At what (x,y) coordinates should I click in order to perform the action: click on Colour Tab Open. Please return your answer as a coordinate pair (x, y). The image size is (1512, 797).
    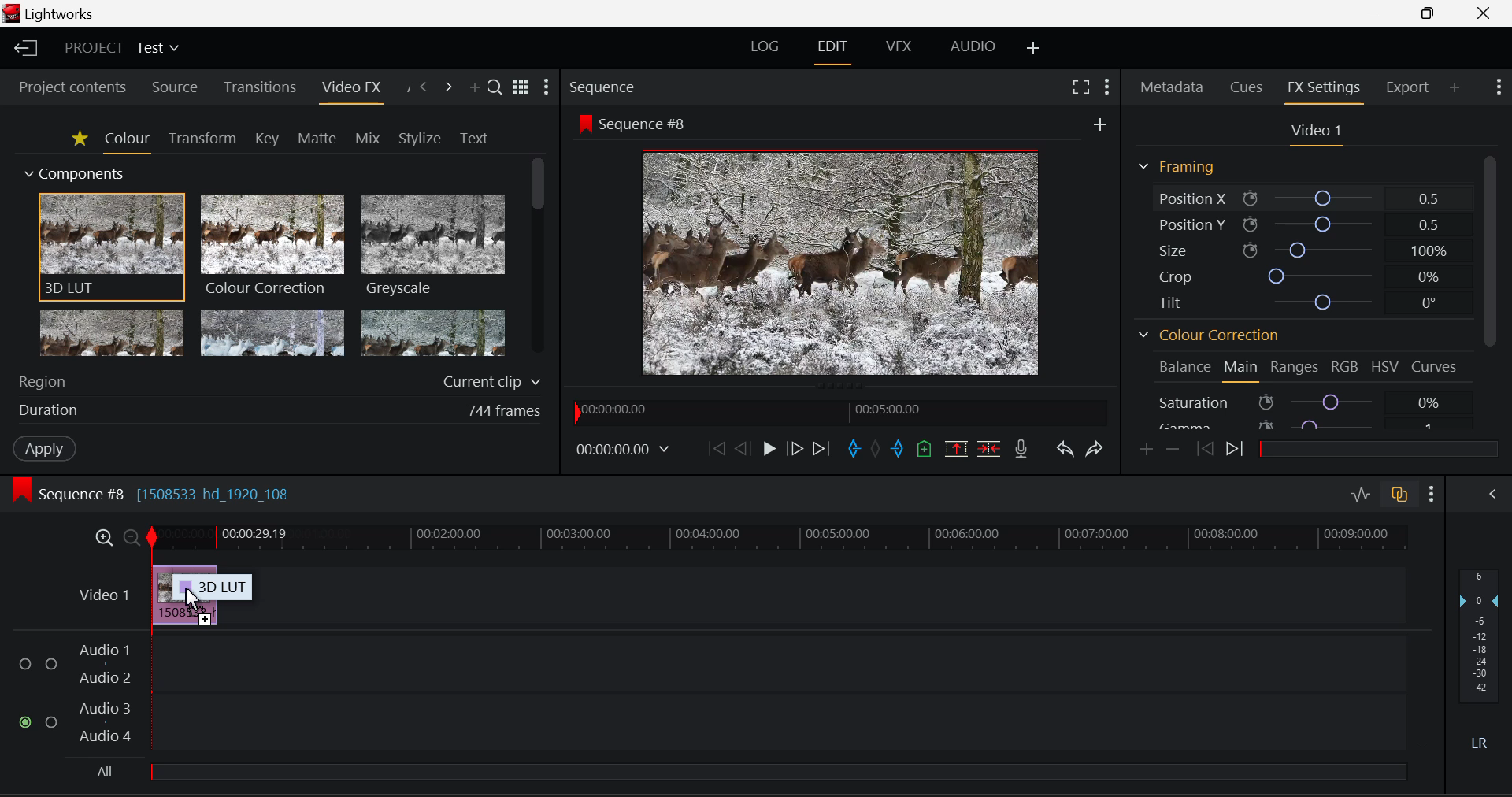
    Looking at the image, I should click on (127, 143).